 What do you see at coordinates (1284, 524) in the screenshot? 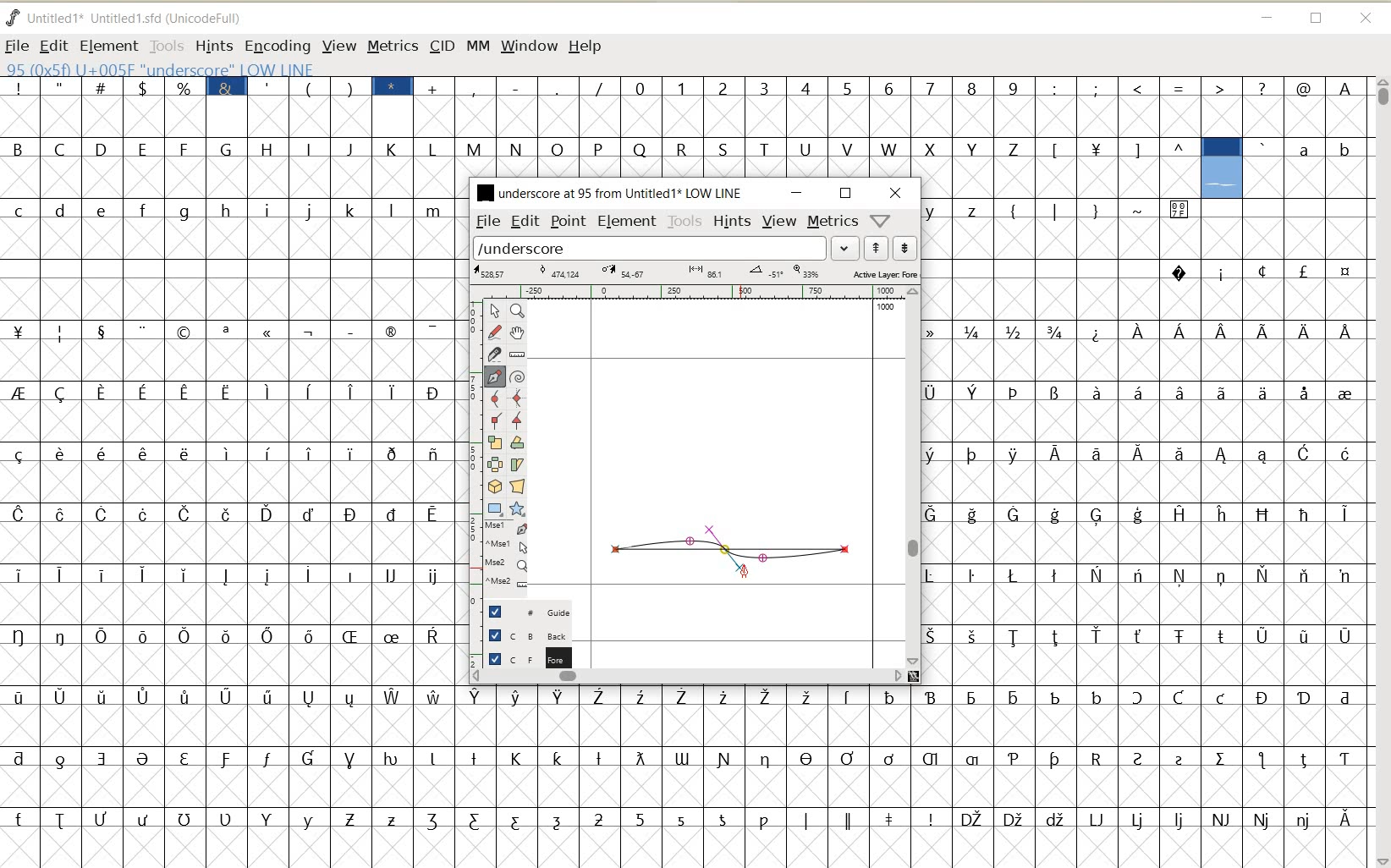
I see `GLYPHY CHARACTERS` at bounding box center [1284, 524].